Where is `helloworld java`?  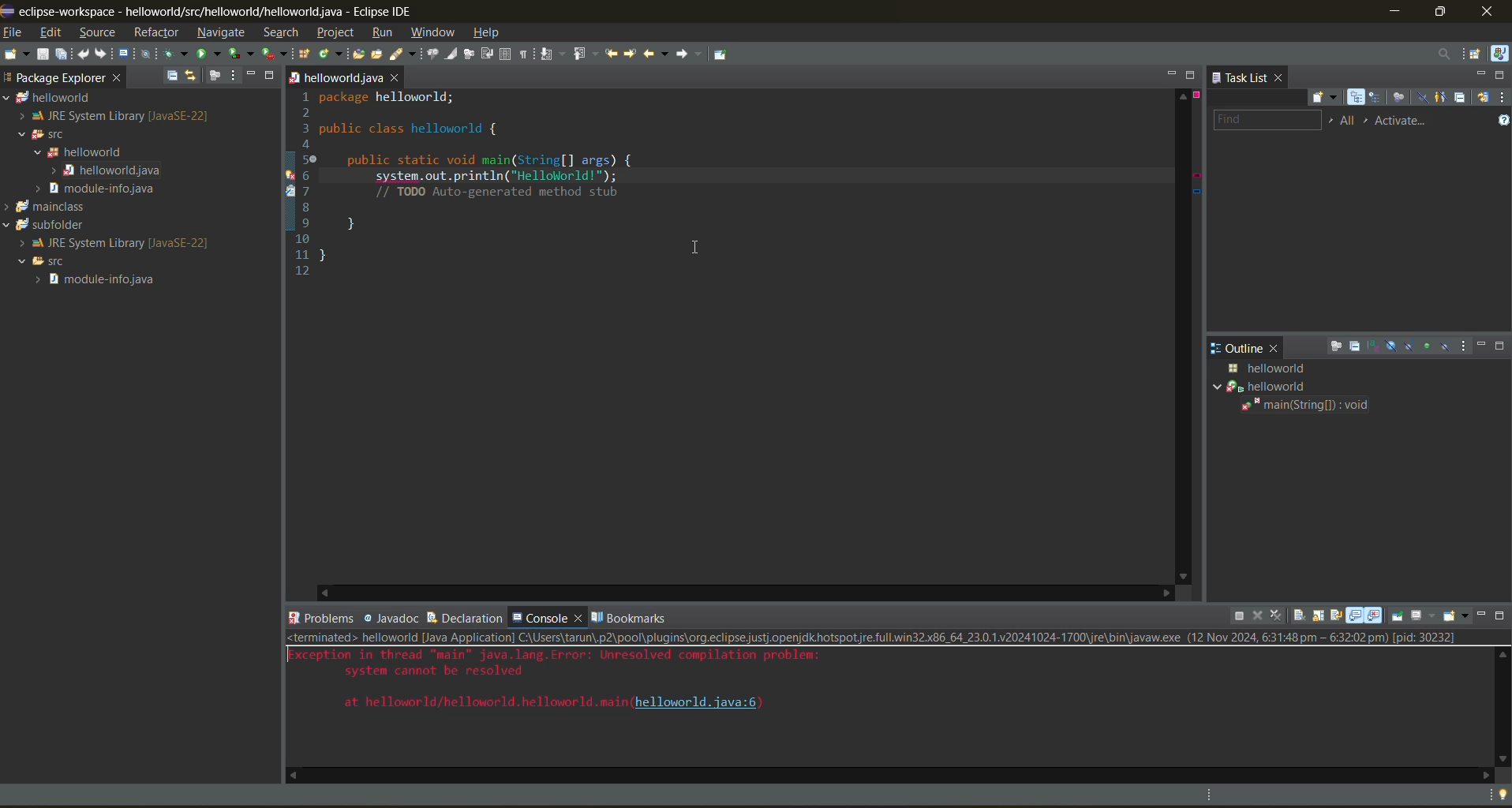 helloworld java is located at coordinates (107, 171).